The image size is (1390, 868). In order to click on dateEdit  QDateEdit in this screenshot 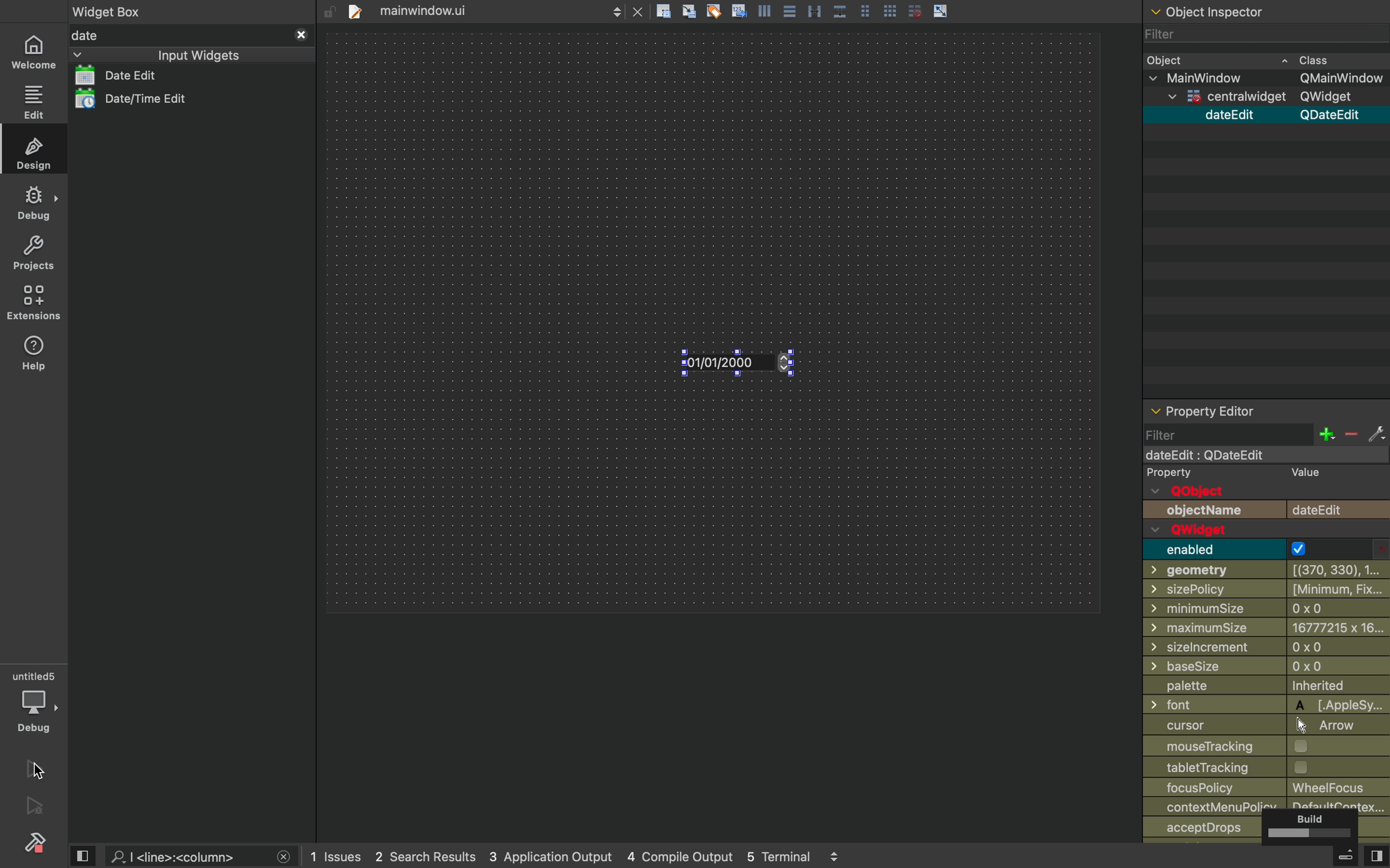, I will do `click(1285, 115)`.